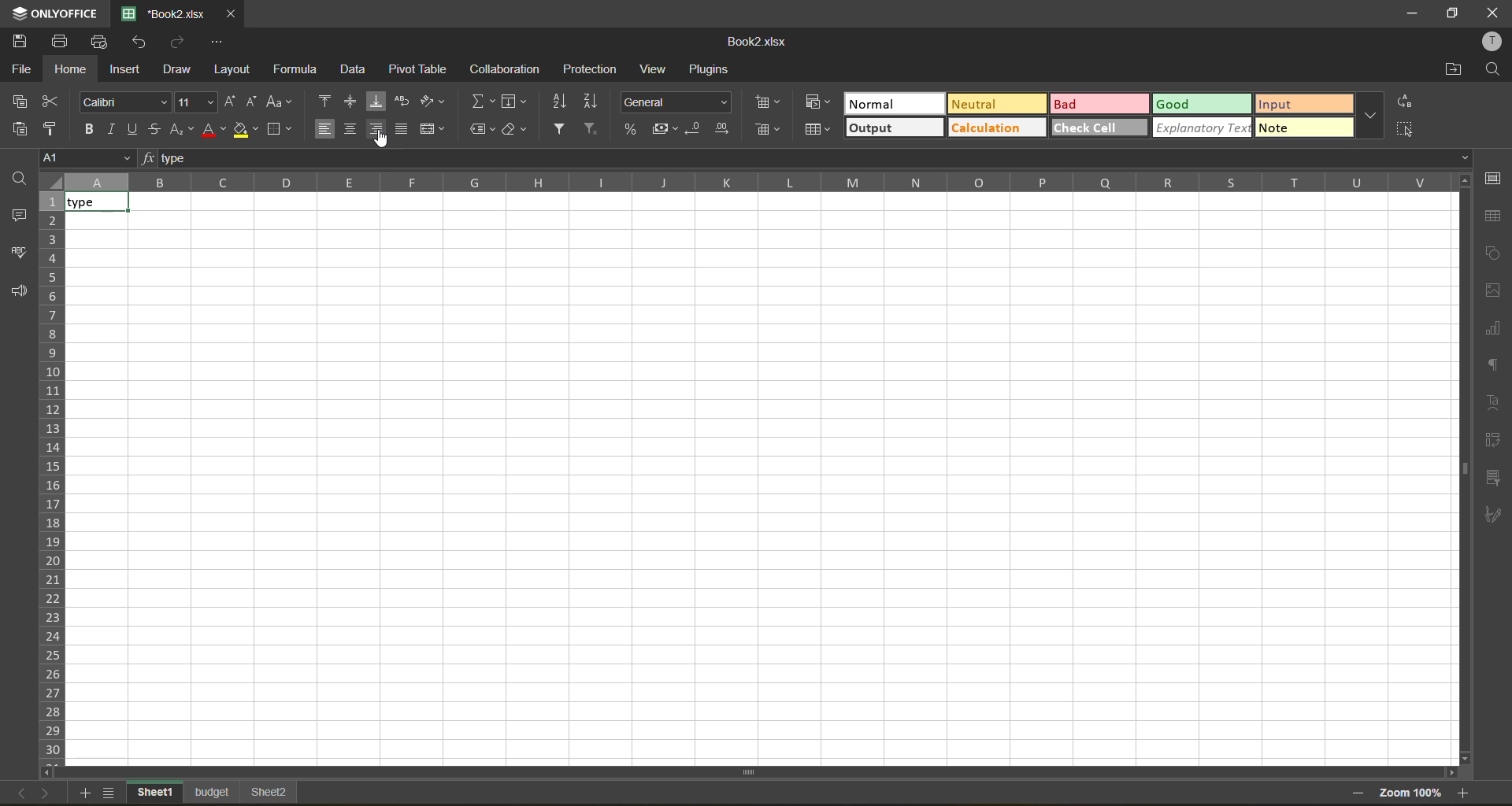 The width and height of the screenshot is (1512, 806). What do you see at coordinates (1494, 329) in the screenshot?
I see `charts` at bounding box center [1494, 329].